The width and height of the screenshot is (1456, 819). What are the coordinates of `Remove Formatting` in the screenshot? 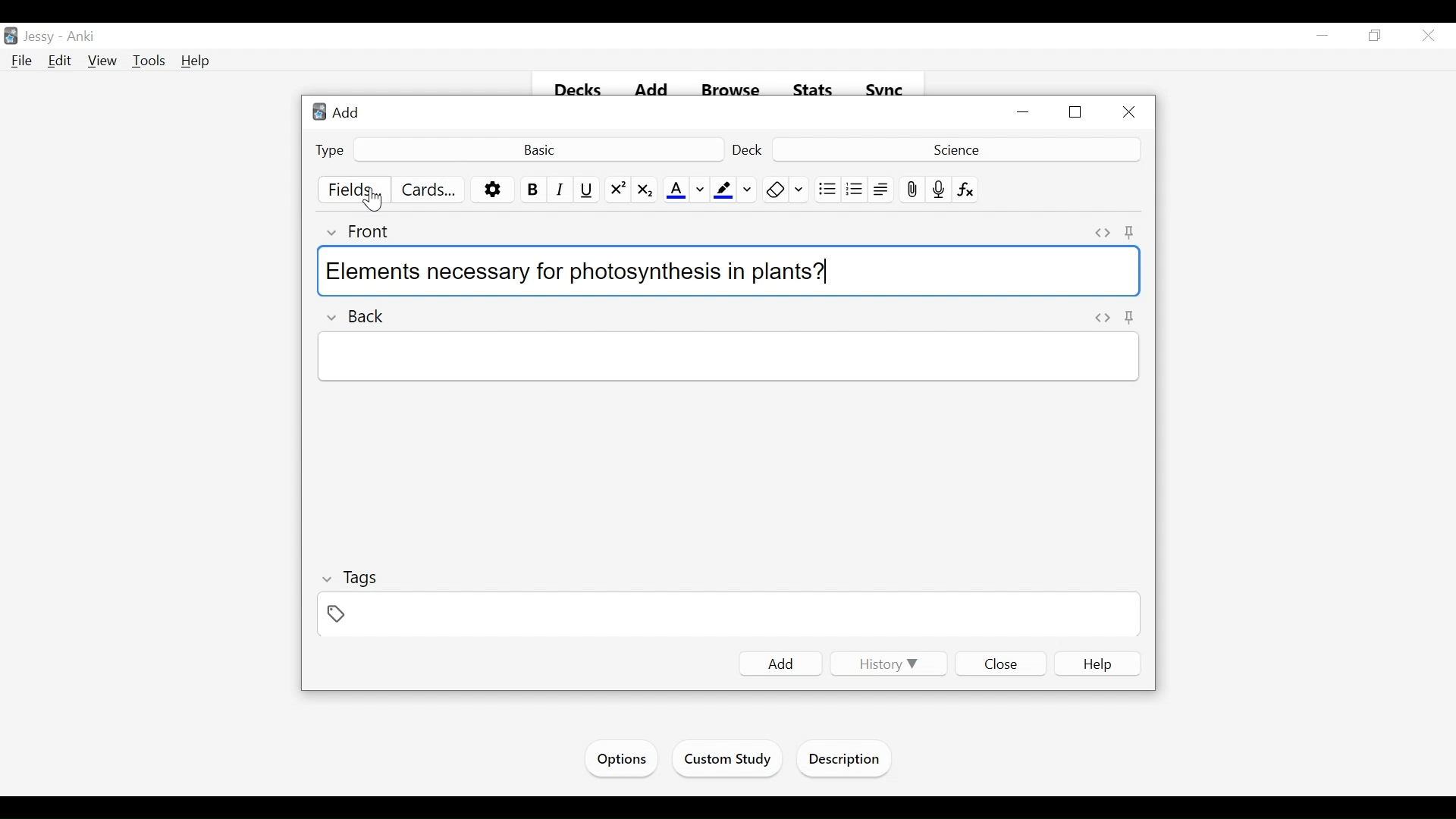 It's located at (775, 190).